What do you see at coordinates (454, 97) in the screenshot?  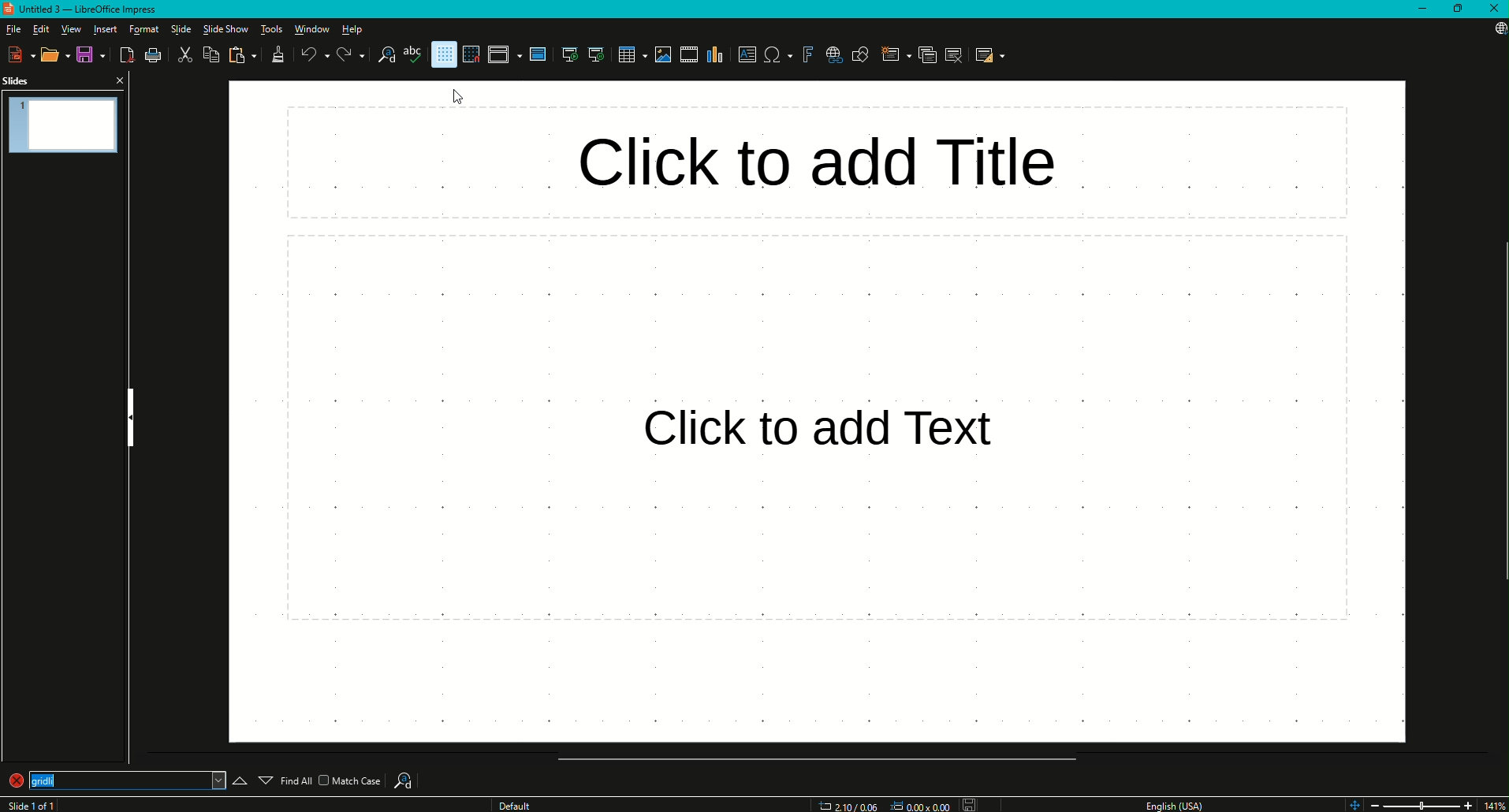 I see `Cursor` at bounding box center [454, 97].